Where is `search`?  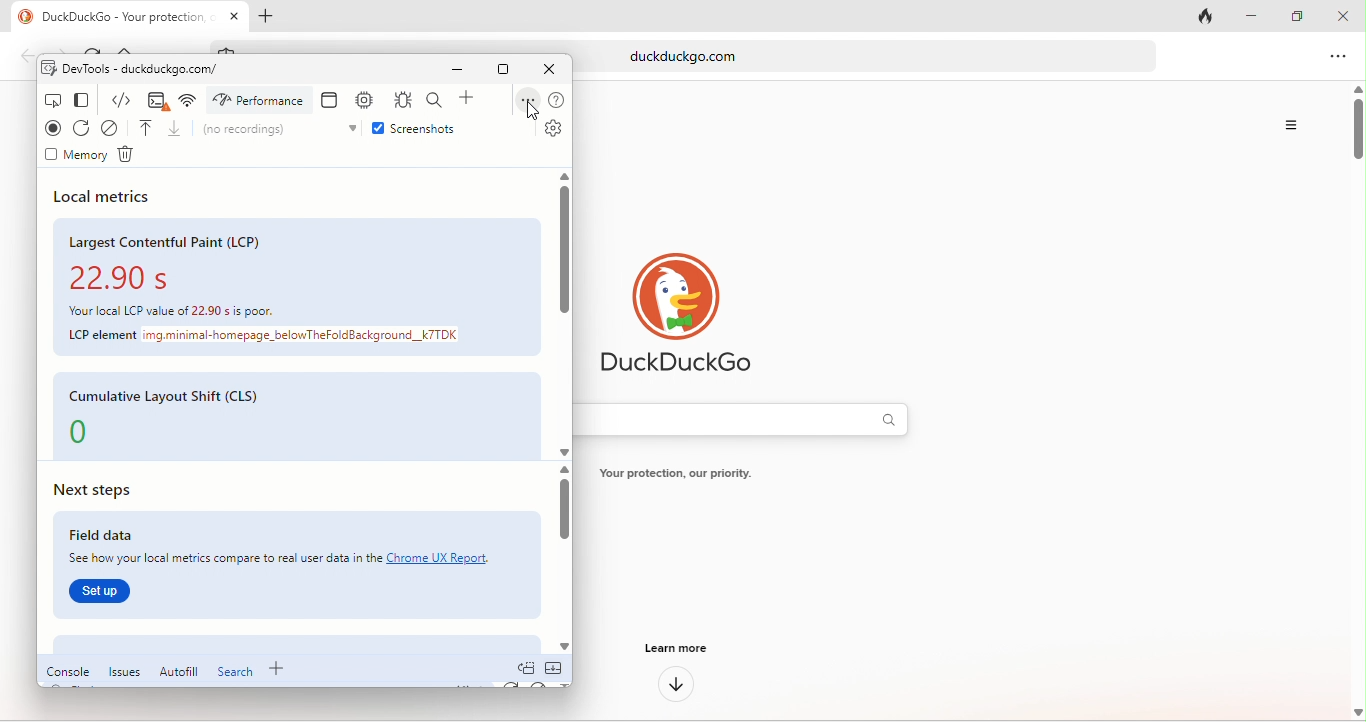 search is located at coordinates (437, 99).